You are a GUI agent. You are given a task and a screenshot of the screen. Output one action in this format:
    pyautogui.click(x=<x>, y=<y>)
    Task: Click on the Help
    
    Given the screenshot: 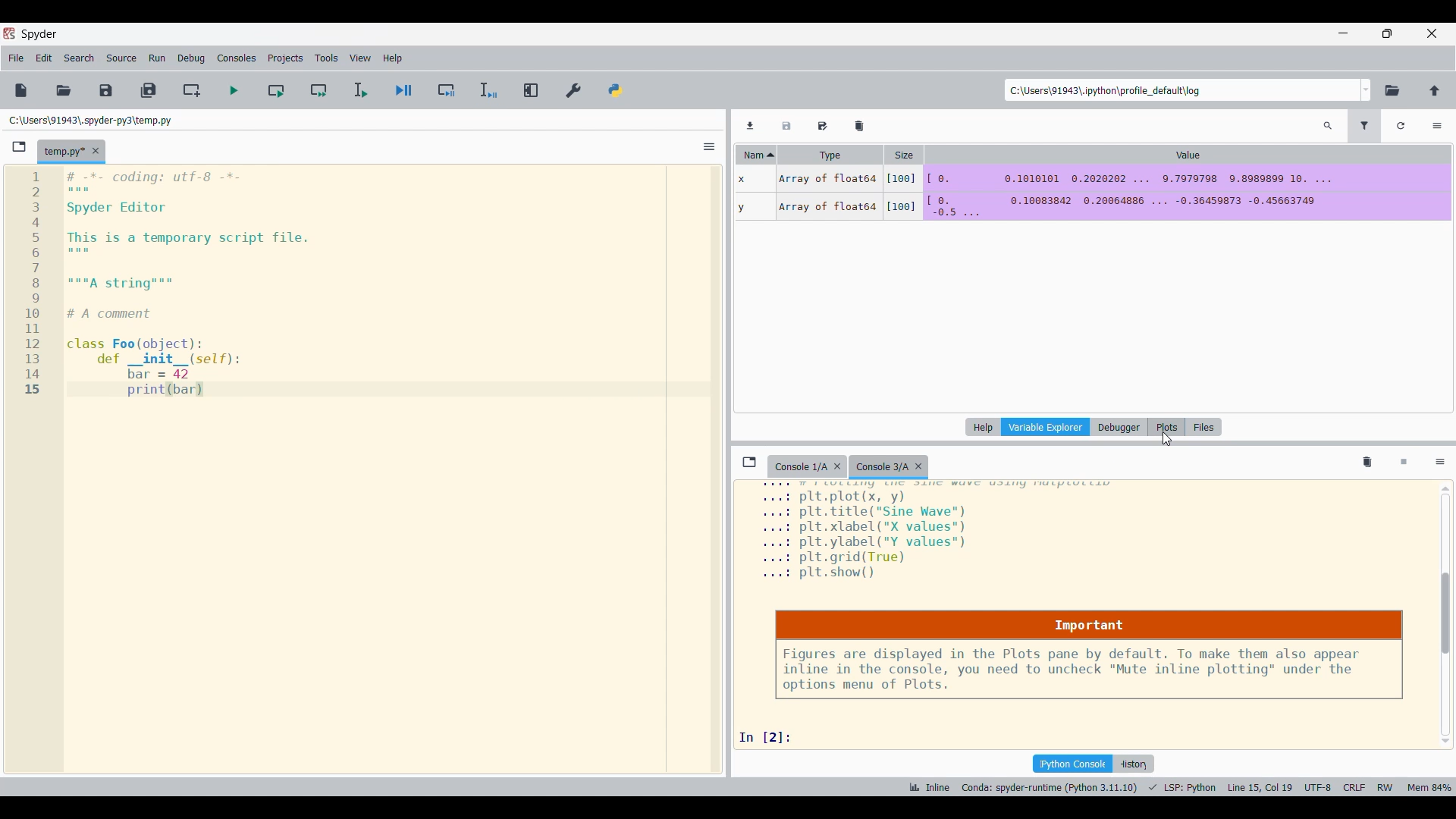 What is the action you would take?
    pyautogui.click(x=983, y=427)
    